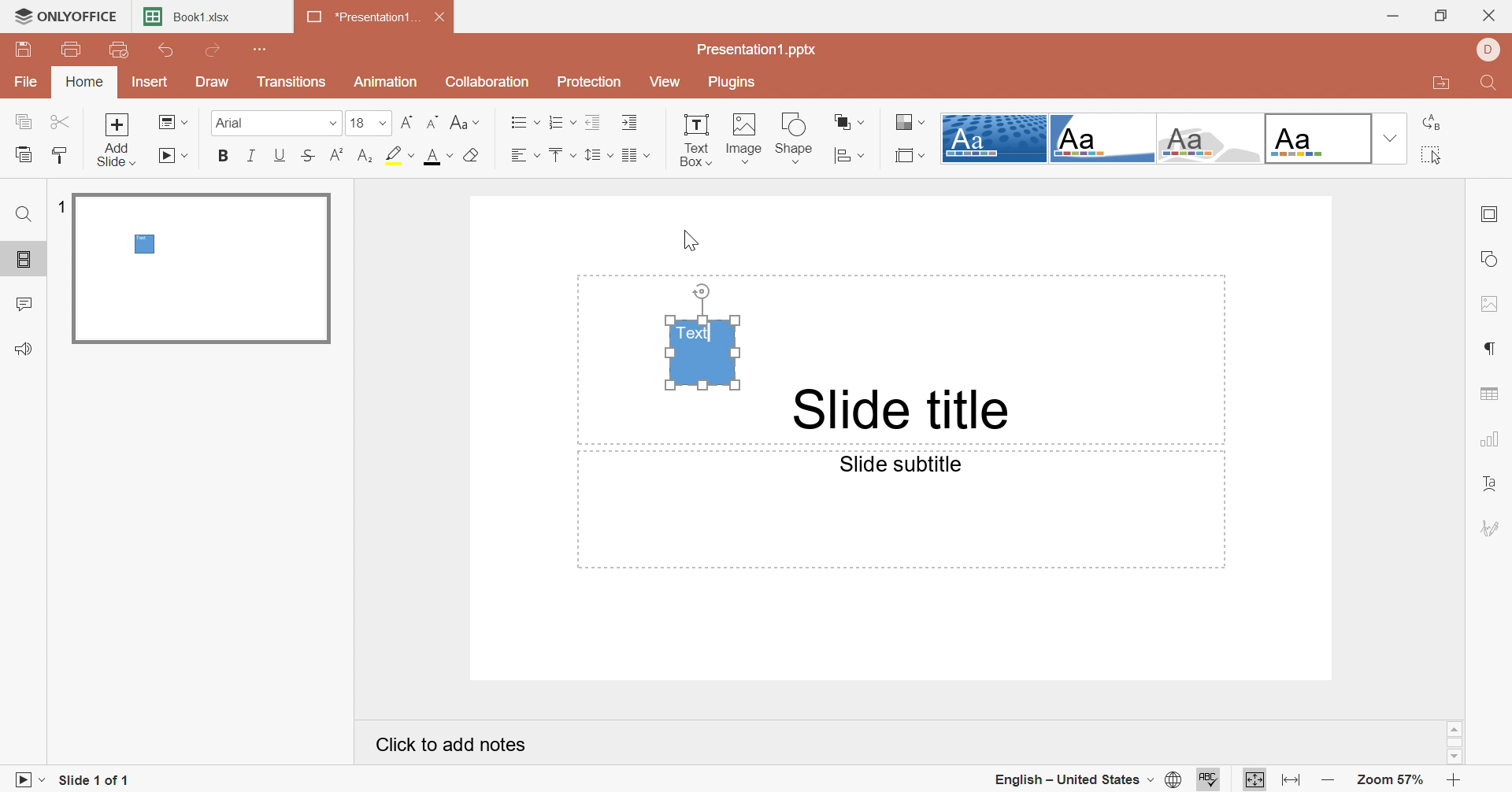  I want to click on Start slideshow, so click(174, 156).